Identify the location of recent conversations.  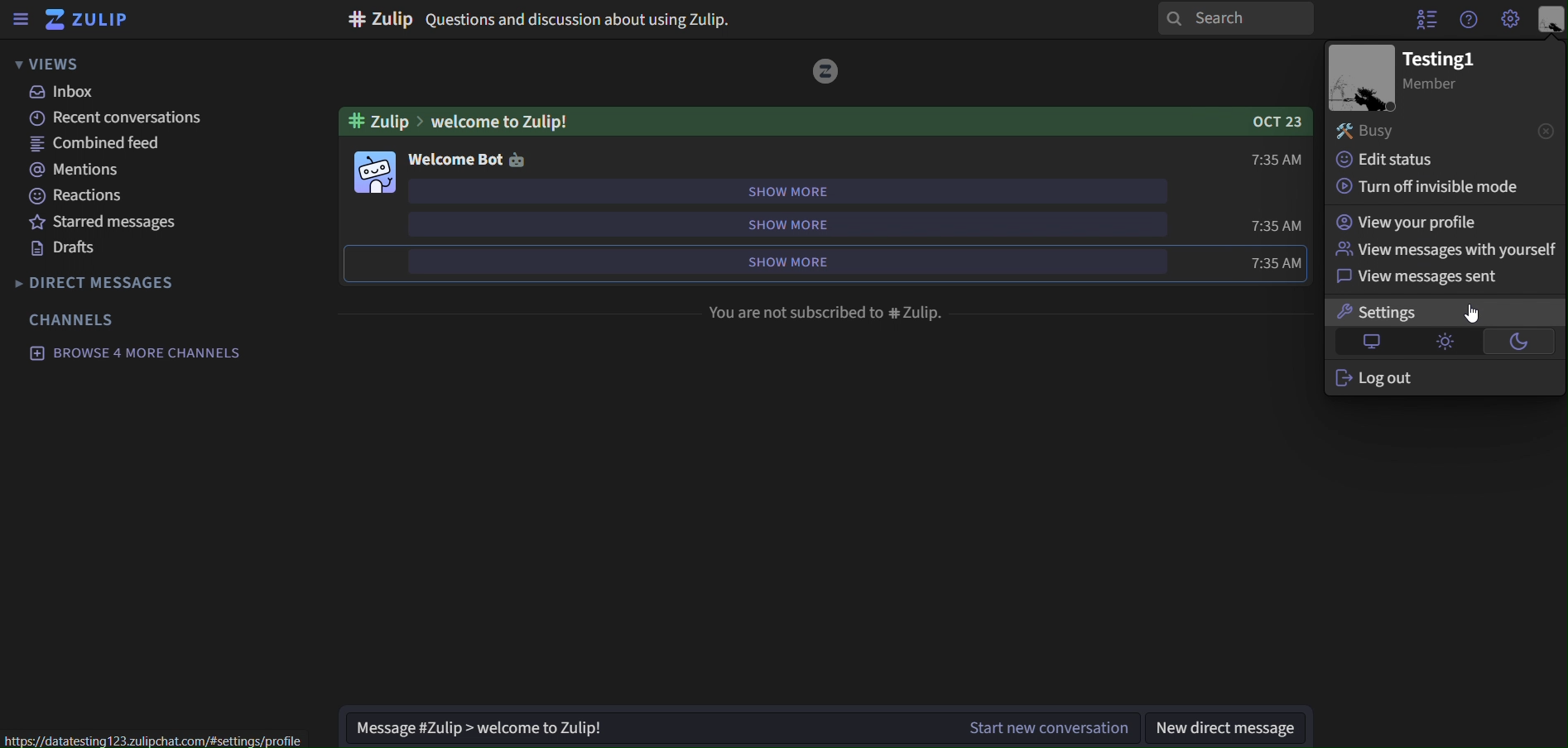
(118, 119).